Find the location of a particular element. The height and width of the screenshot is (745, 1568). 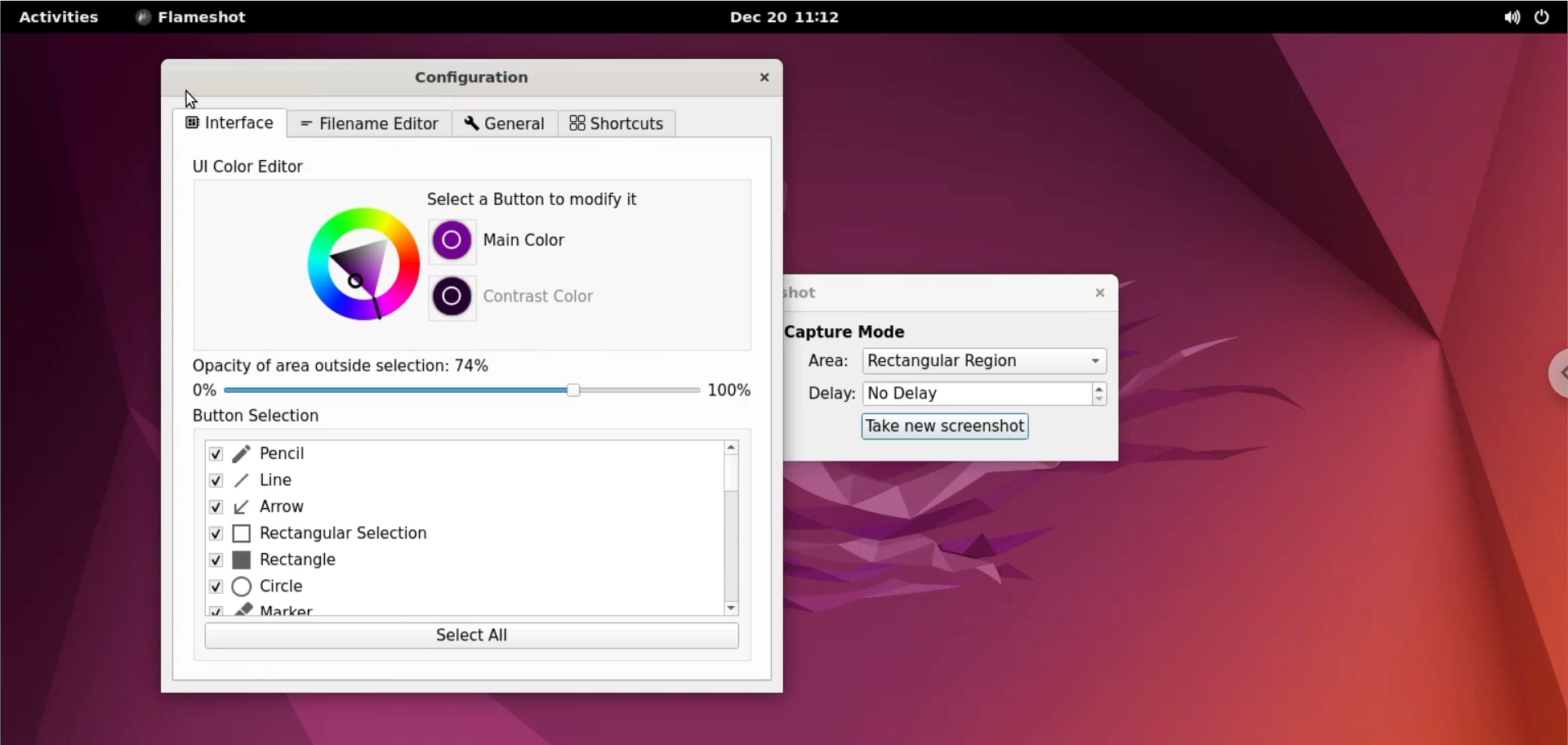

sound options is located at coordinates (1505, 17).